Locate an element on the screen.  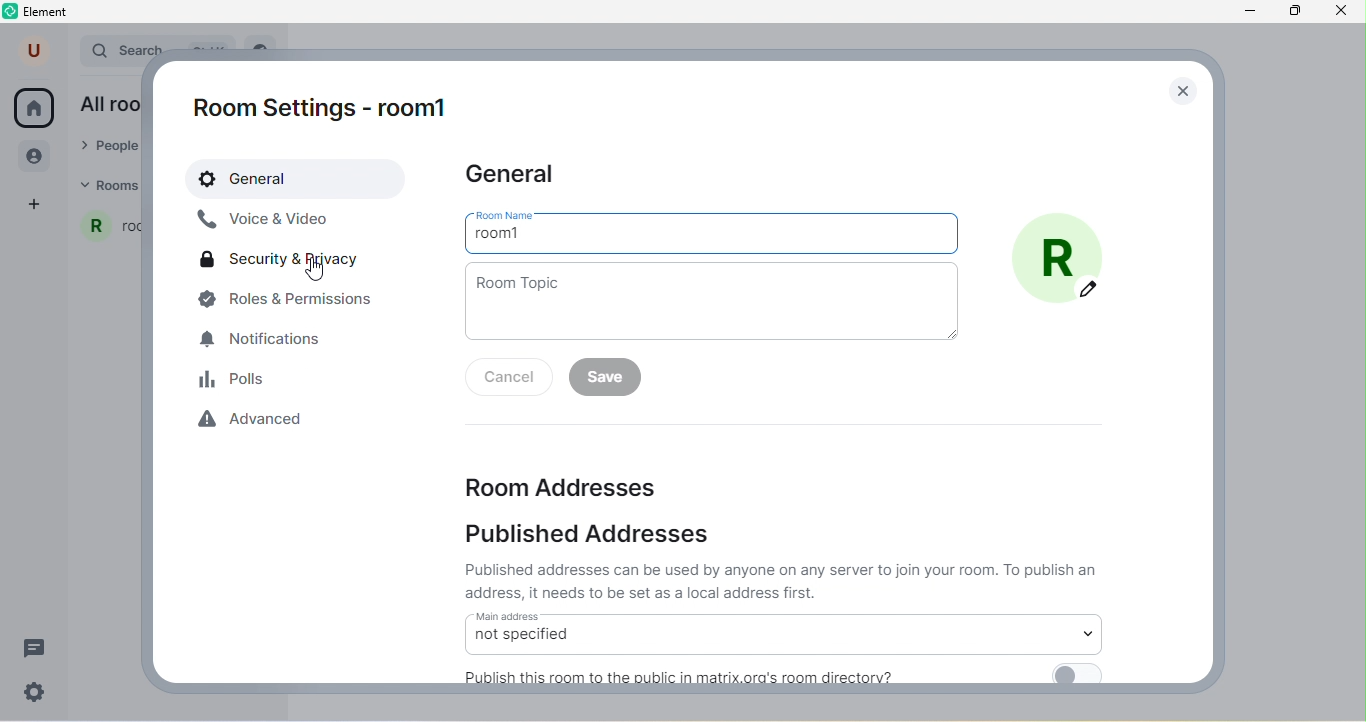
security and privacy is located at coordinates (285, 262).